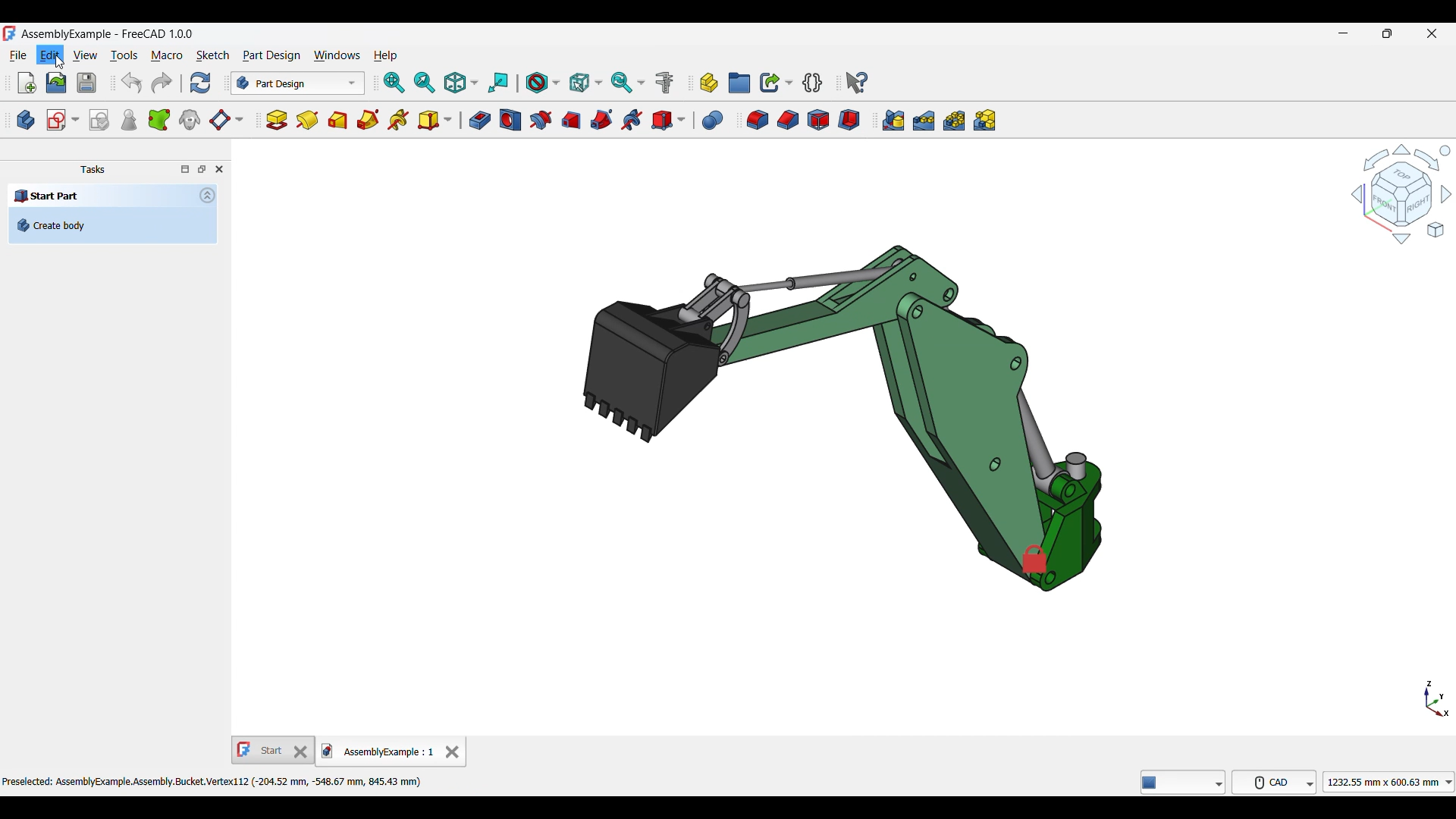  What do you see at coordinates (99, 121) in the screenshot?
I see `Validate sketch` at bounding box center [99, 121].